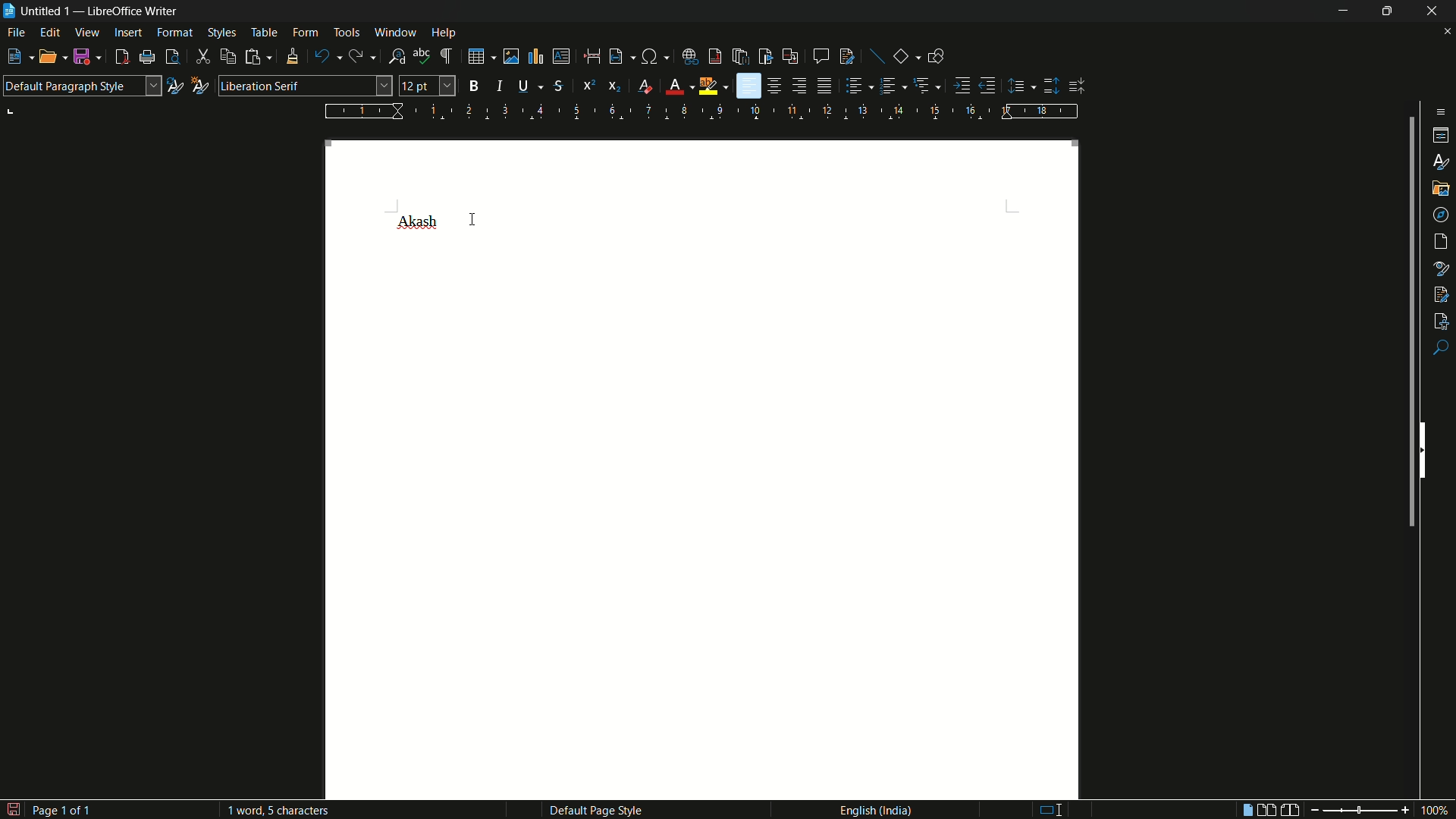 This screenshot has width=1456, height=819. Describe the element at coordinates (475, 86) in the screenshot. I see `bold` at that location.